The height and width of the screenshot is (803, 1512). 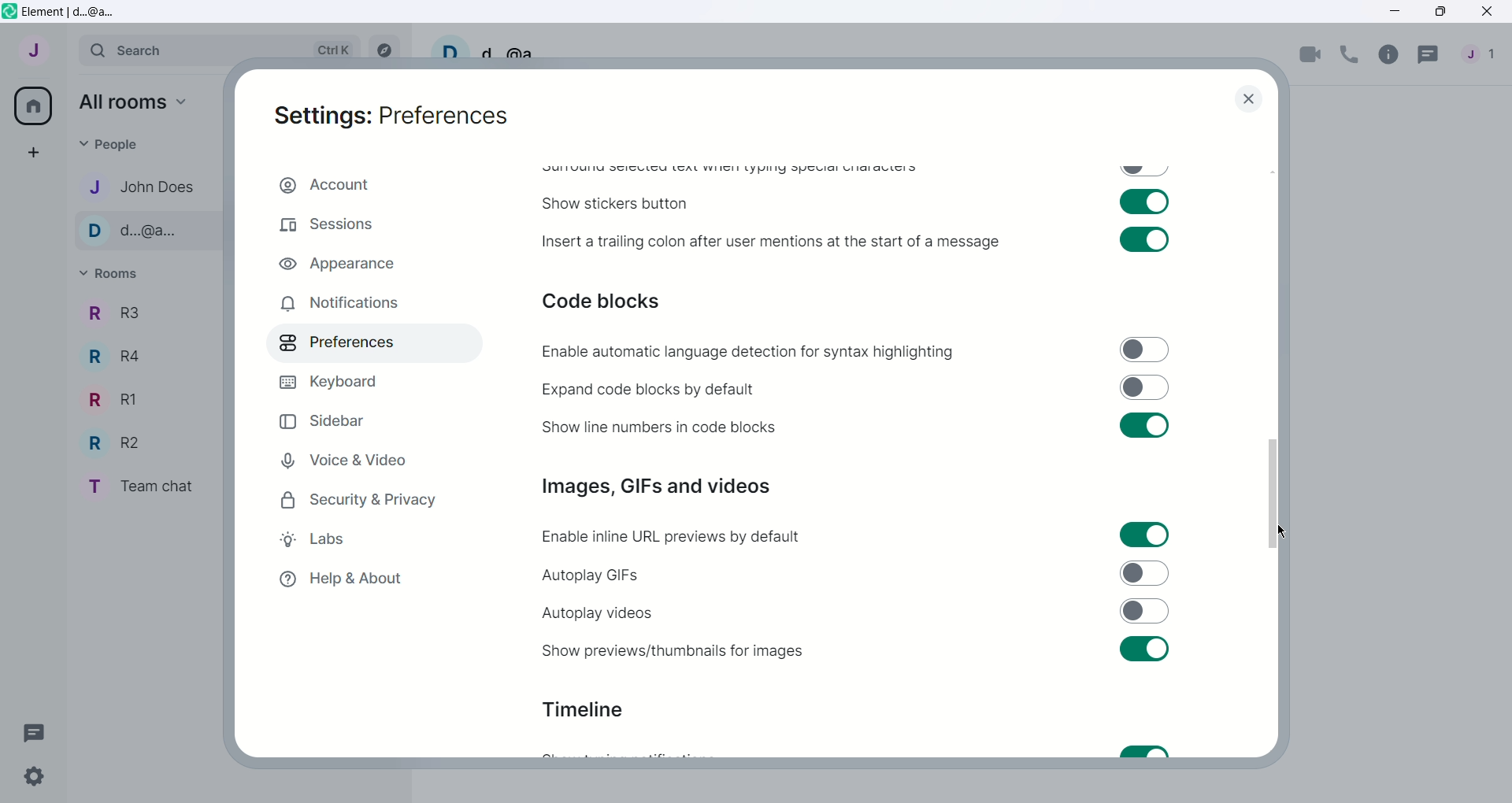 What do you see at coordinates (120, 358) in the screenshot?
I see `R4 - Room Name` at bounding box center [120, 358].